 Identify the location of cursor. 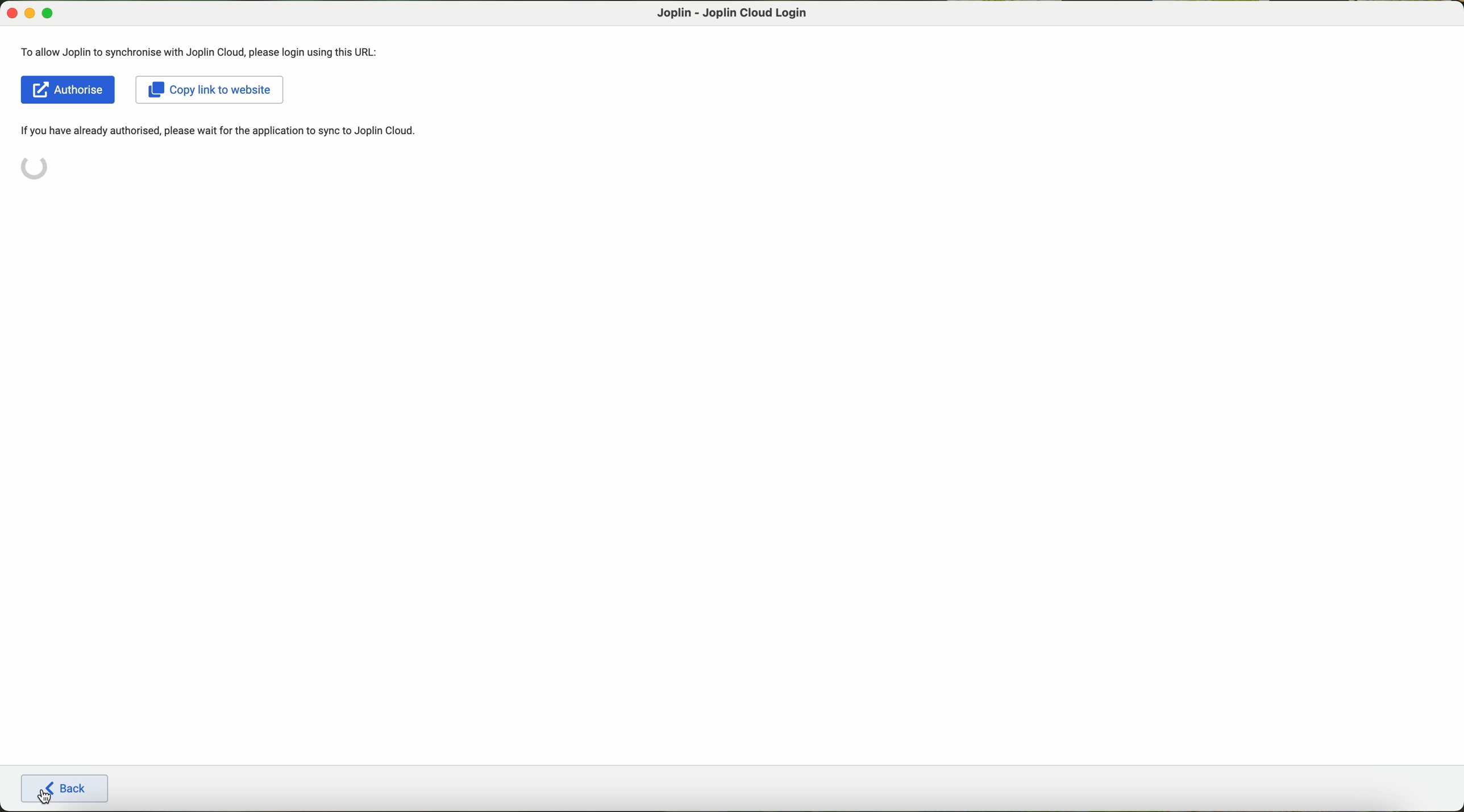
(46, 789).